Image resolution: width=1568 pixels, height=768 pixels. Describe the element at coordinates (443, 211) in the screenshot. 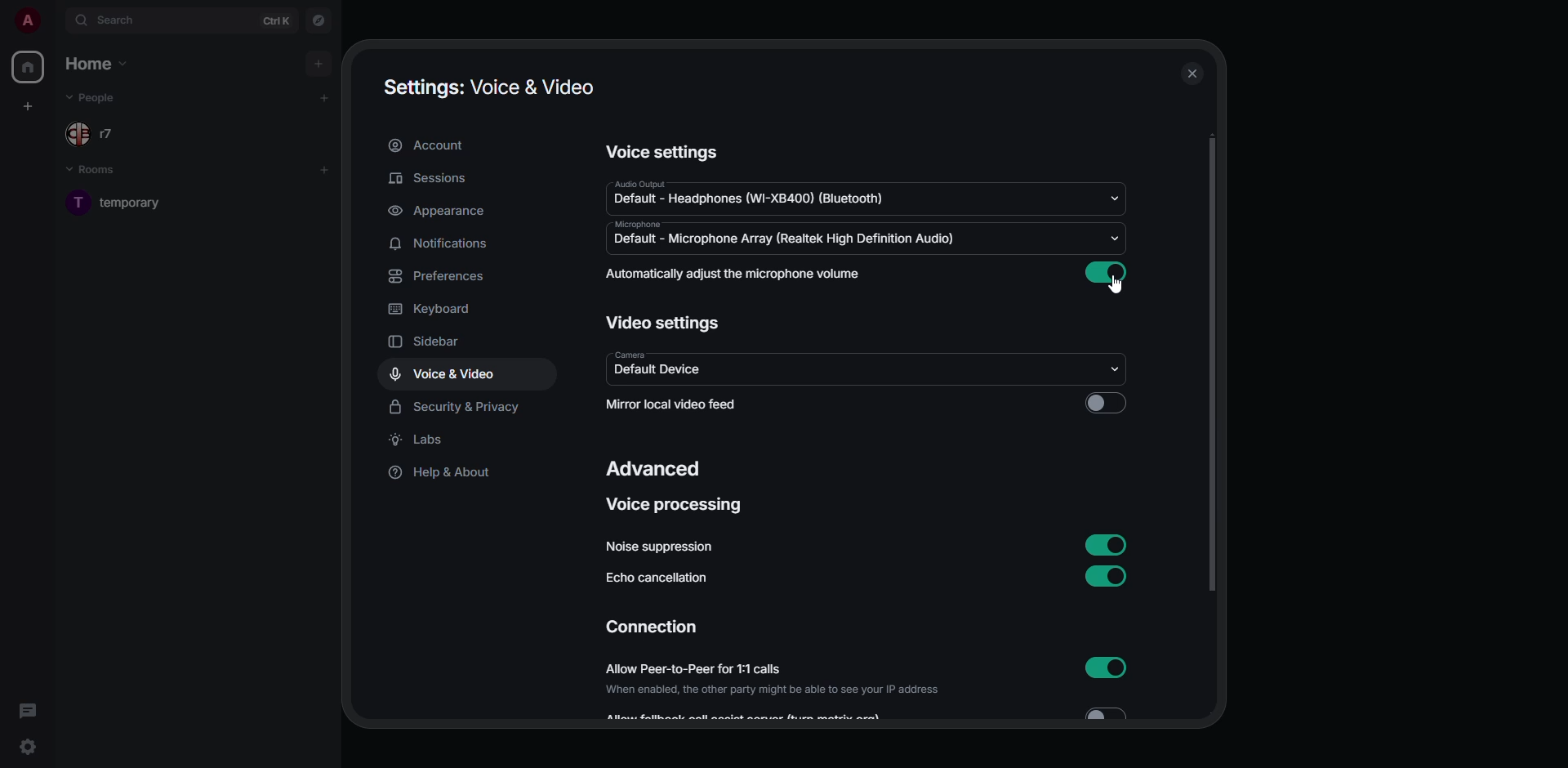

I see `appearance` at that location.